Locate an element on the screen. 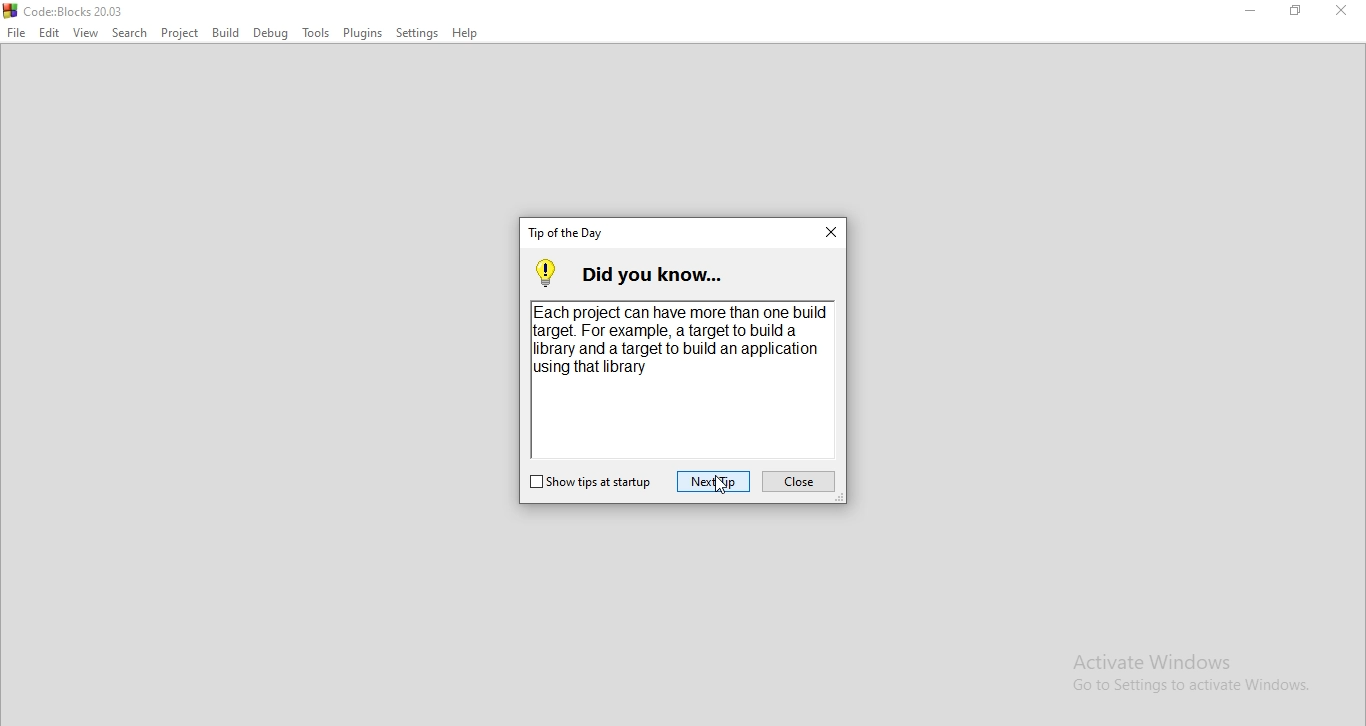  Search  is located at coordinates (129, 34).